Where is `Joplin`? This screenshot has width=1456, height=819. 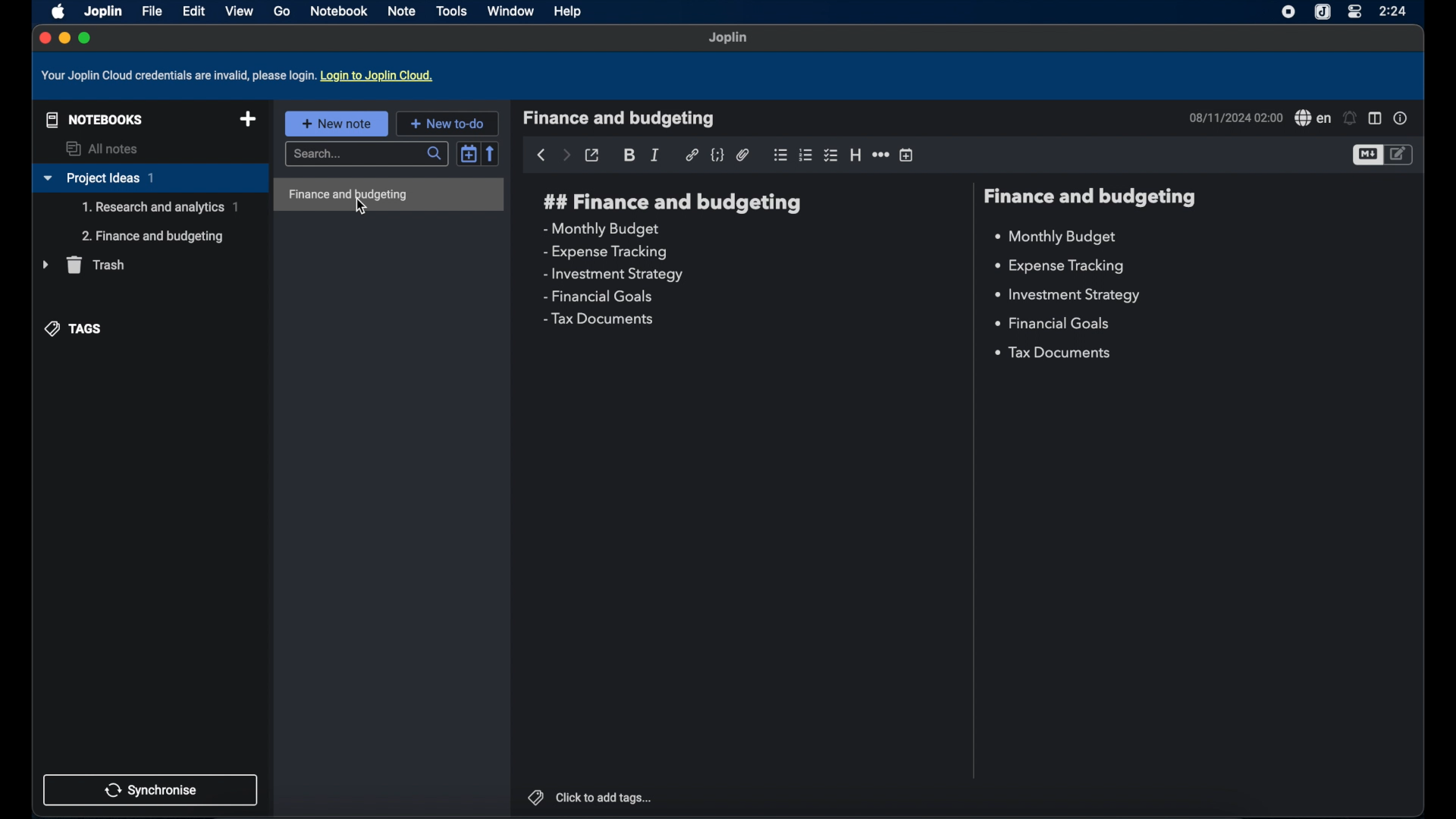
Joplin is located at coordinates (102, 11).